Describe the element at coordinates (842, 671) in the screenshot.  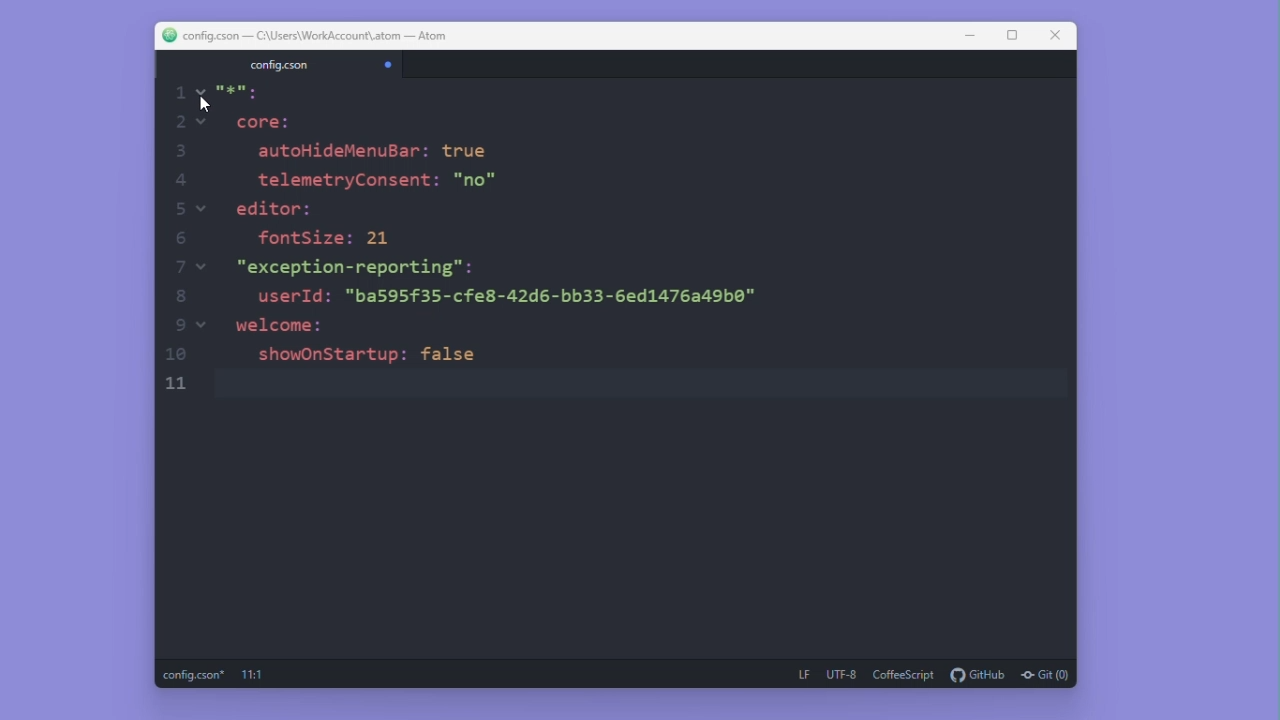
I see `utf 8` at that location.